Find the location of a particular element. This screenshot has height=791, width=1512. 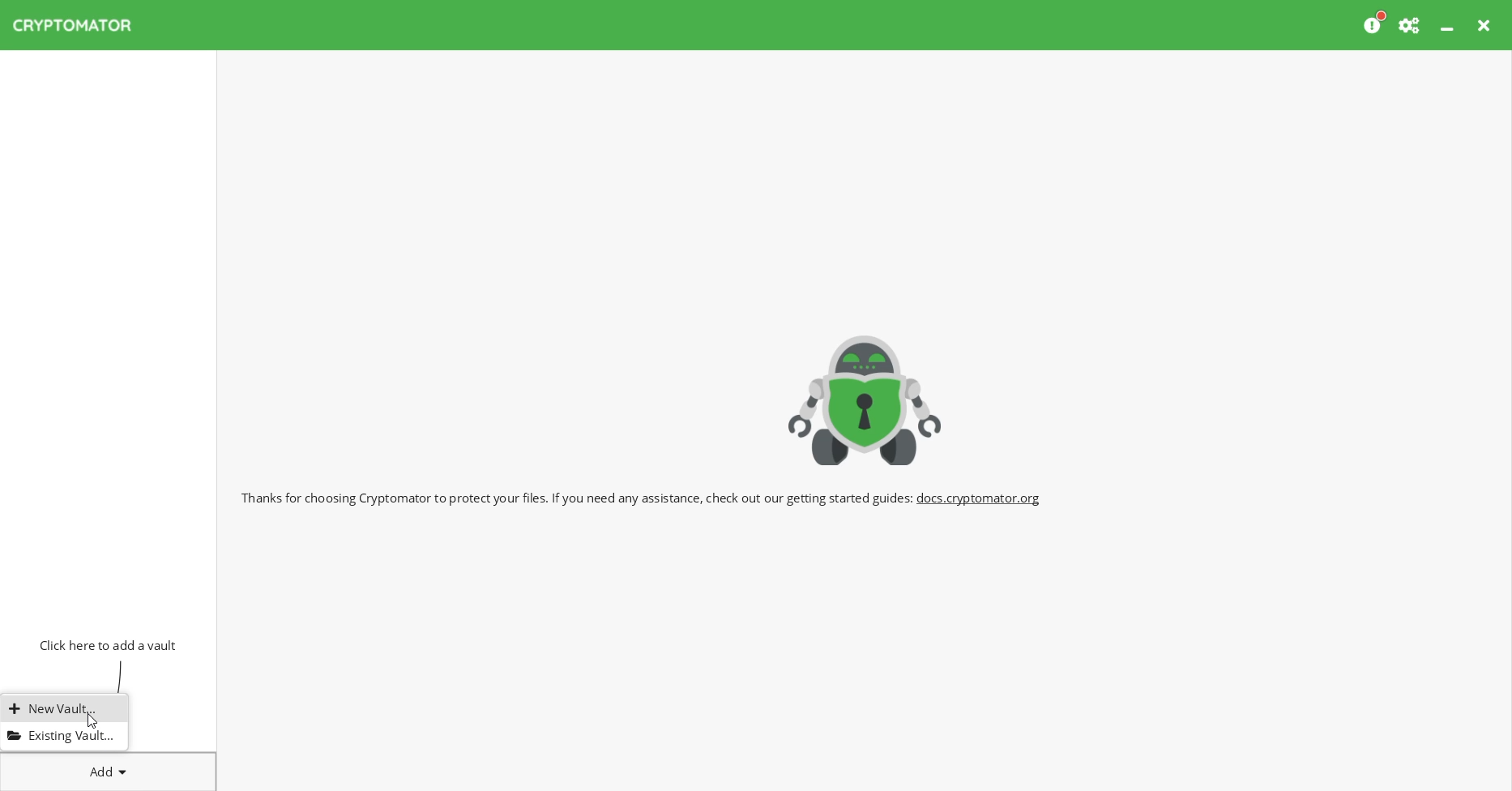

Click here to add vault is located at coordinates (105, 643).